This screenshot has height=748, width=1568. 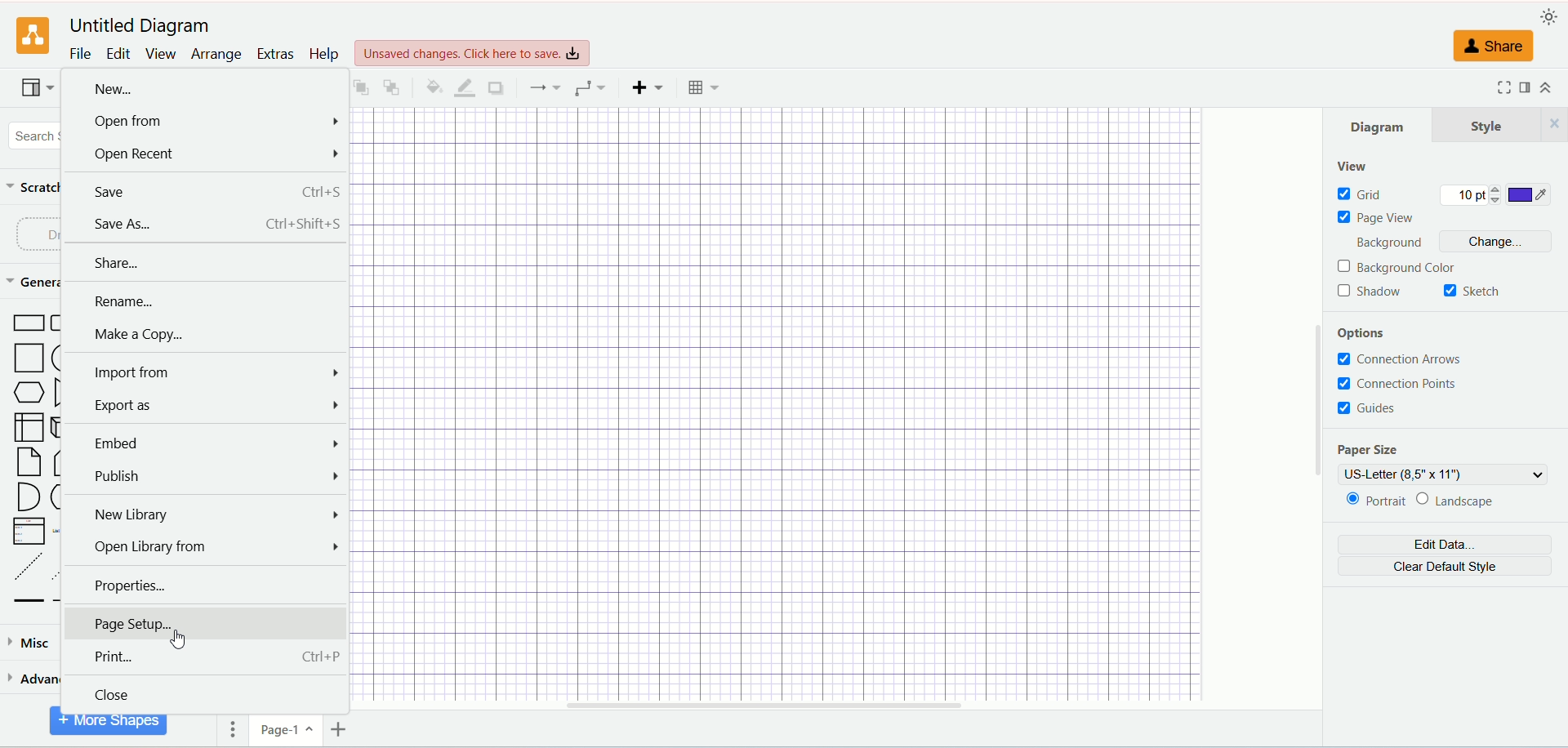 What do you see at coordinates (30, 324) in the screenshot?
I see `rectangle` at bounding box center [30, 324].